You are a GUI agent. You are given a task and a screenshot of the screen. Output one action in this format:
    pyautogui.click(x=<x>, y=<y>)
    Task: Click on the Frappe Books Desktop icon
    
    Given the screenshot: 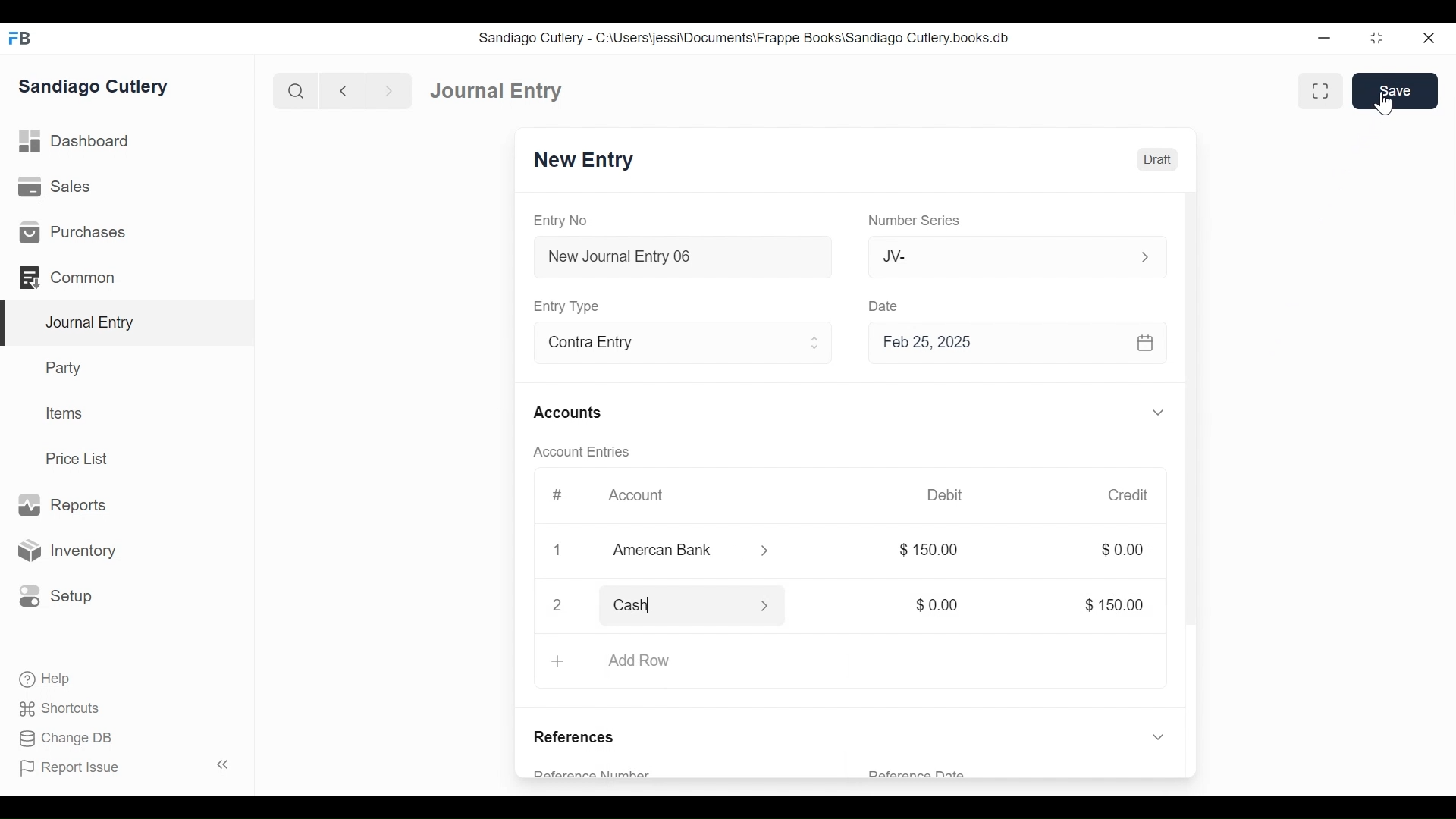 What is the action you would take?
    pyautogui.click(x=21, y=39)
    